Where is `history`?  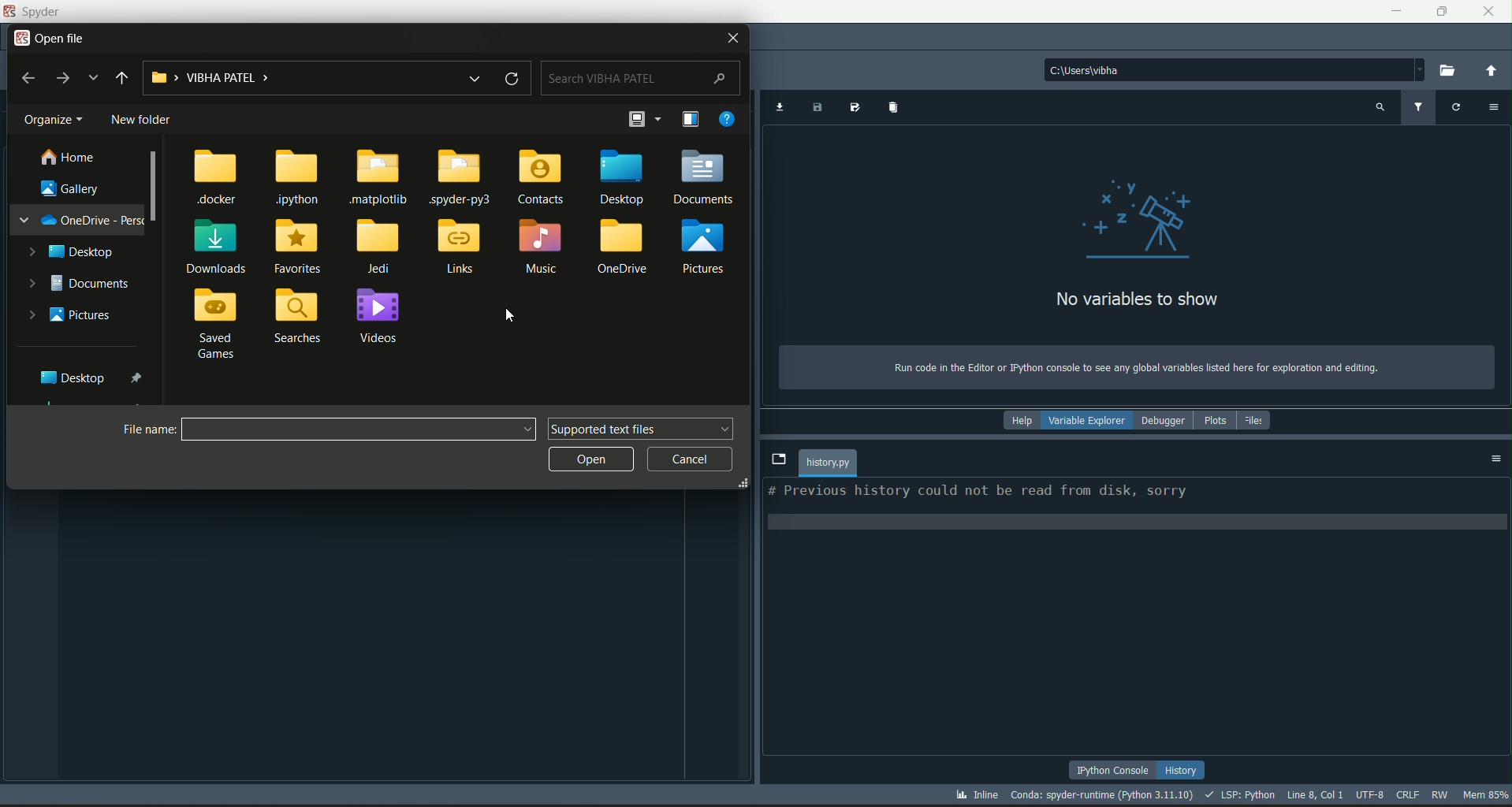 history is located at coordinates (1183, 768).